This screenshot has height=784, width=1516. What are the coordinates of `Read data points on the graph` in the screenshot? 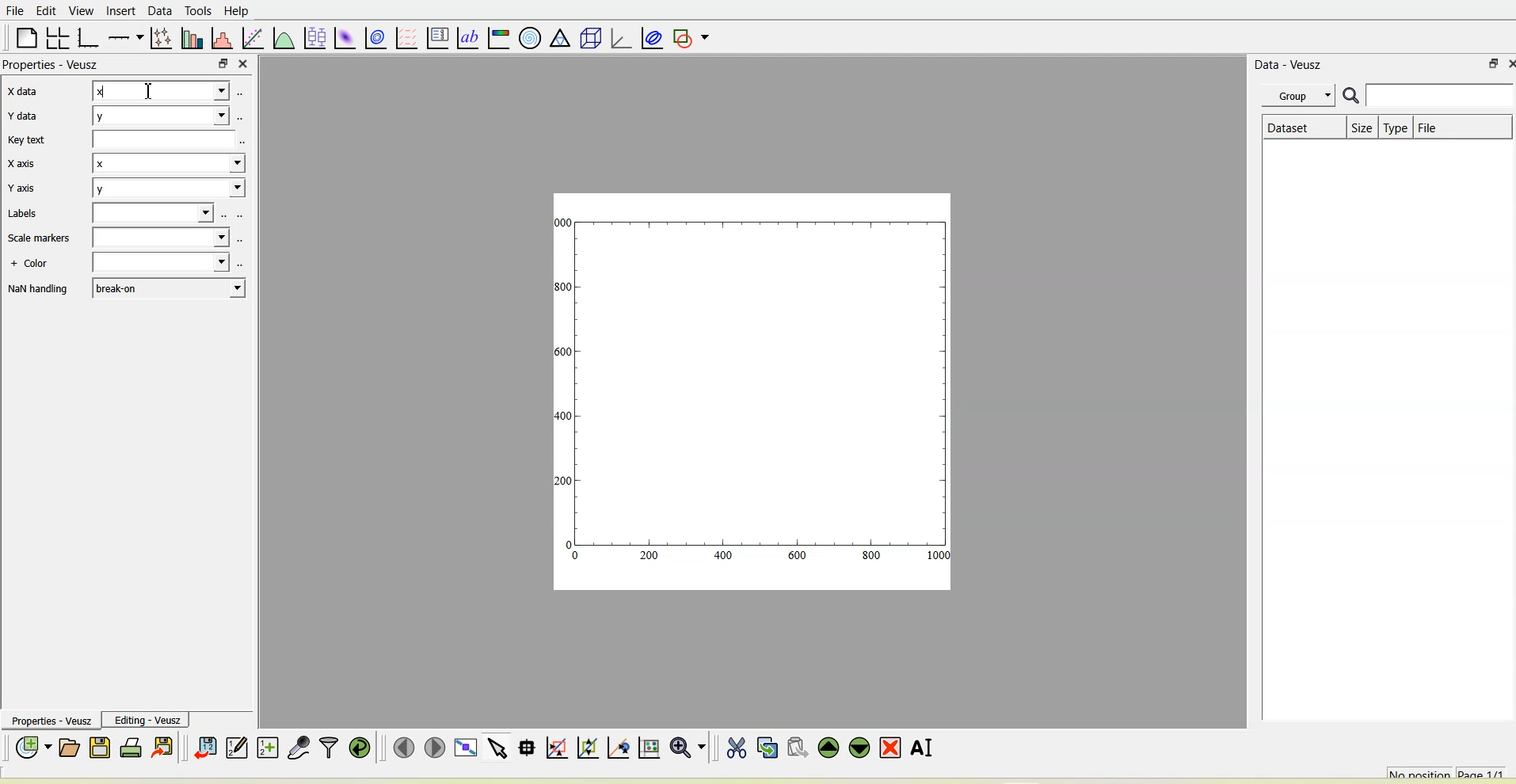 It's located at (526, 748).